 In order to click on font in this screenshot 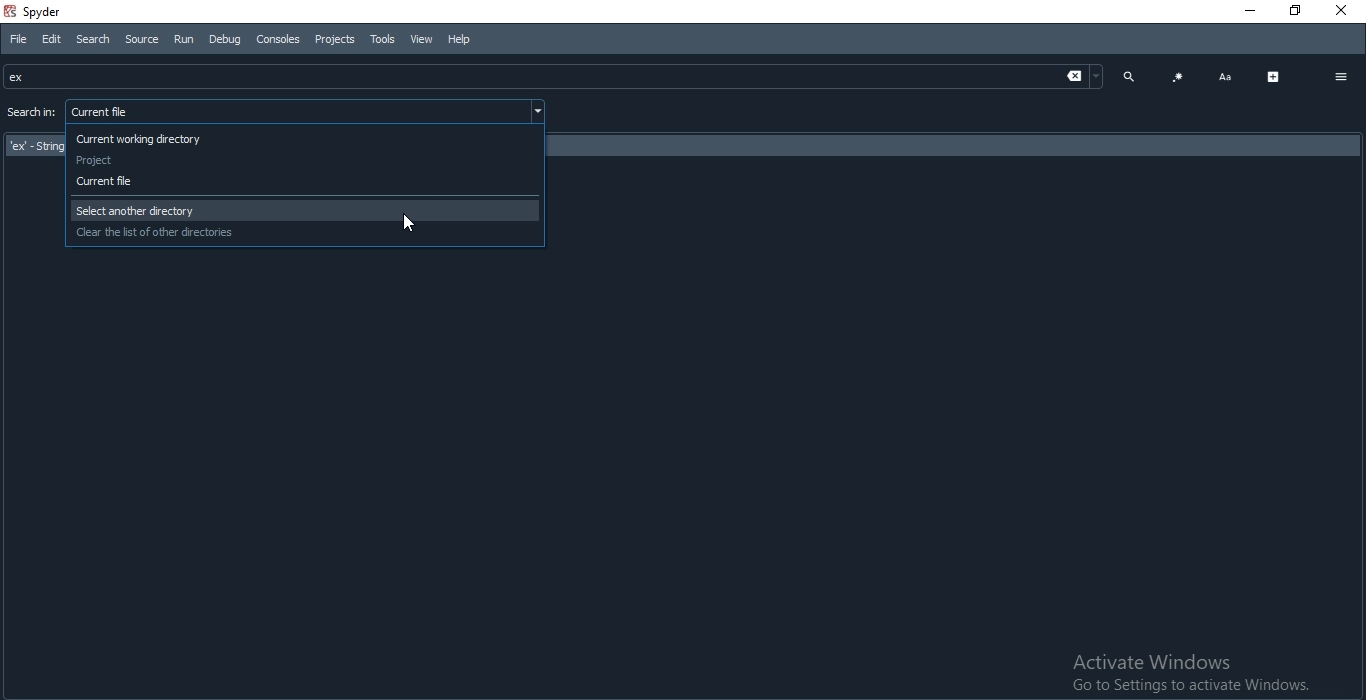, I will do `click(1225, 78)`.